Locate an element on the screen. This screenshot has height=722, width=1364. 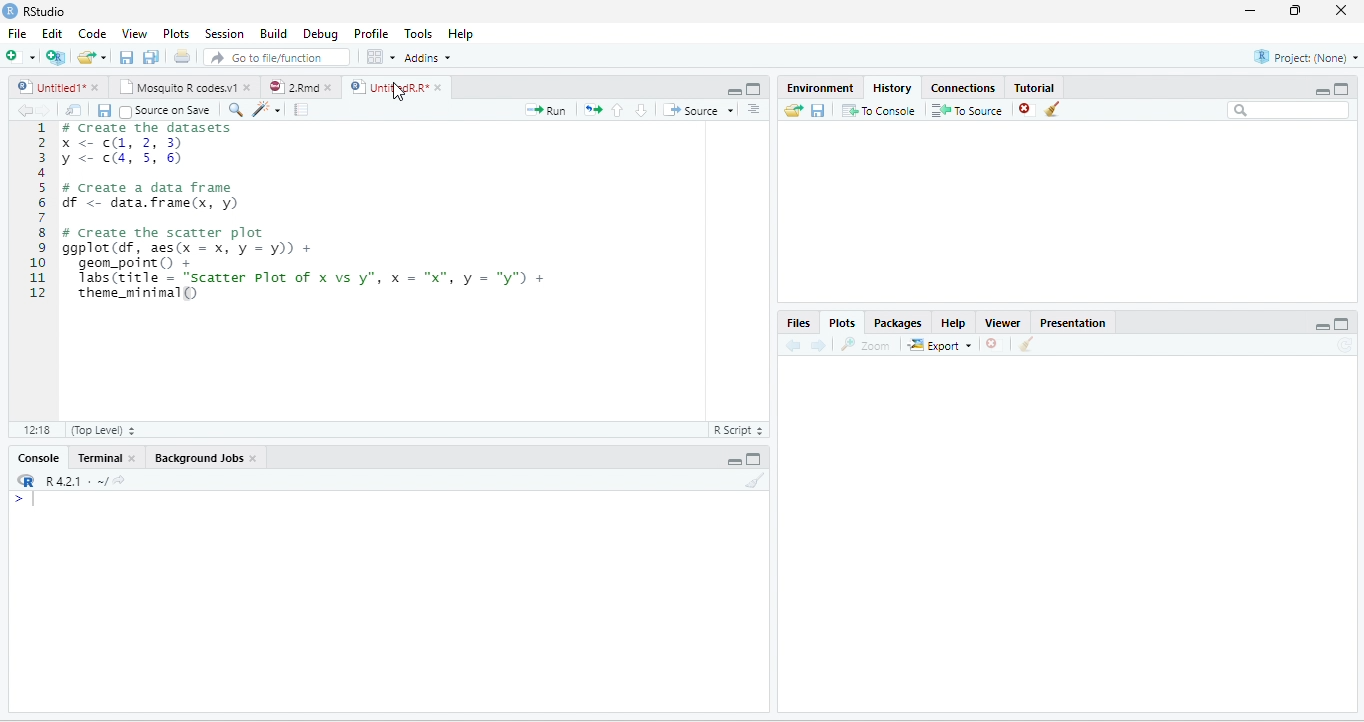
close is located at coordinates (131, 458).